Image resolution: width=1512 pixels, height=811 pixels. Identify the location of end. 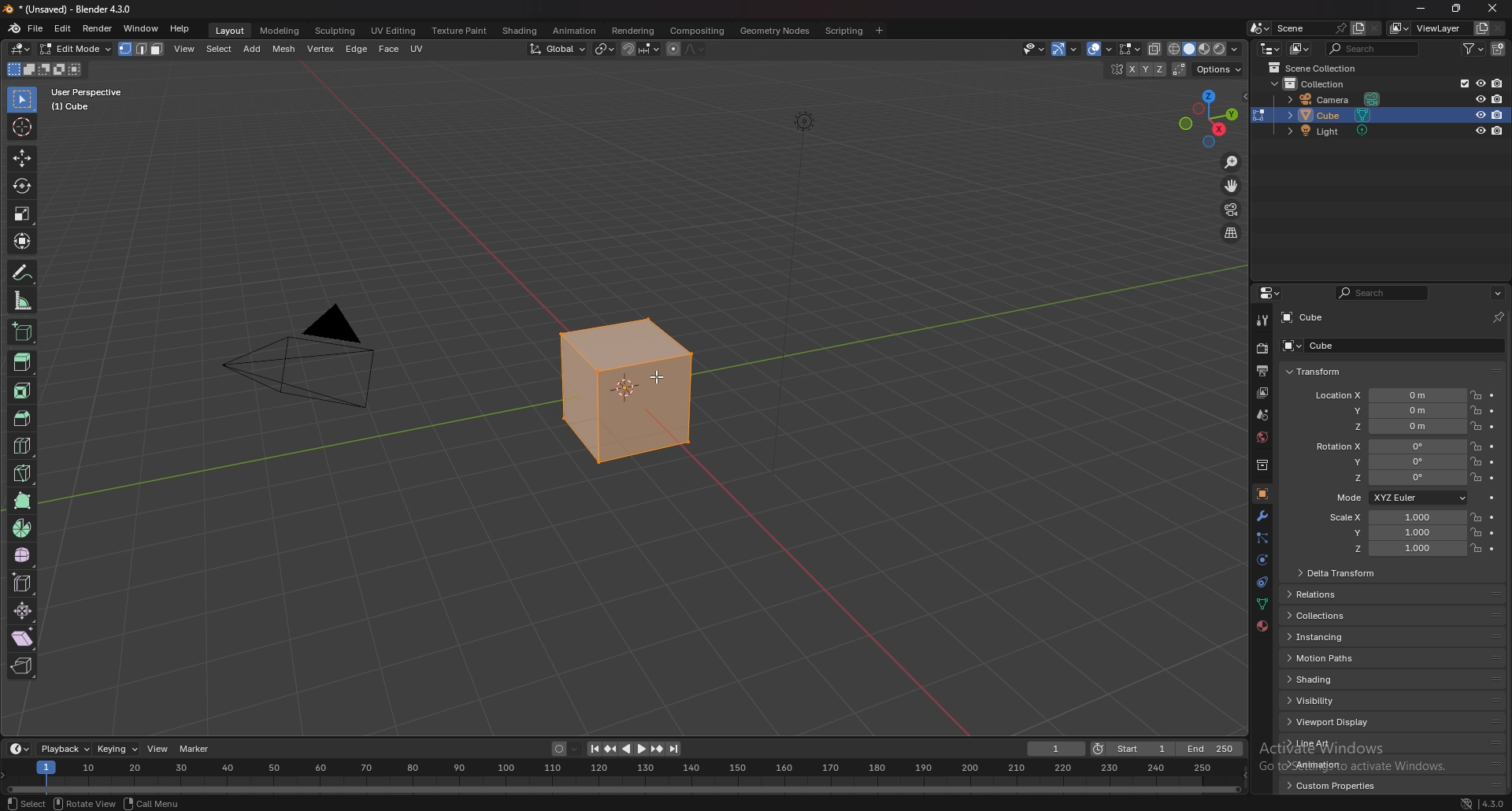
(1214, 747).